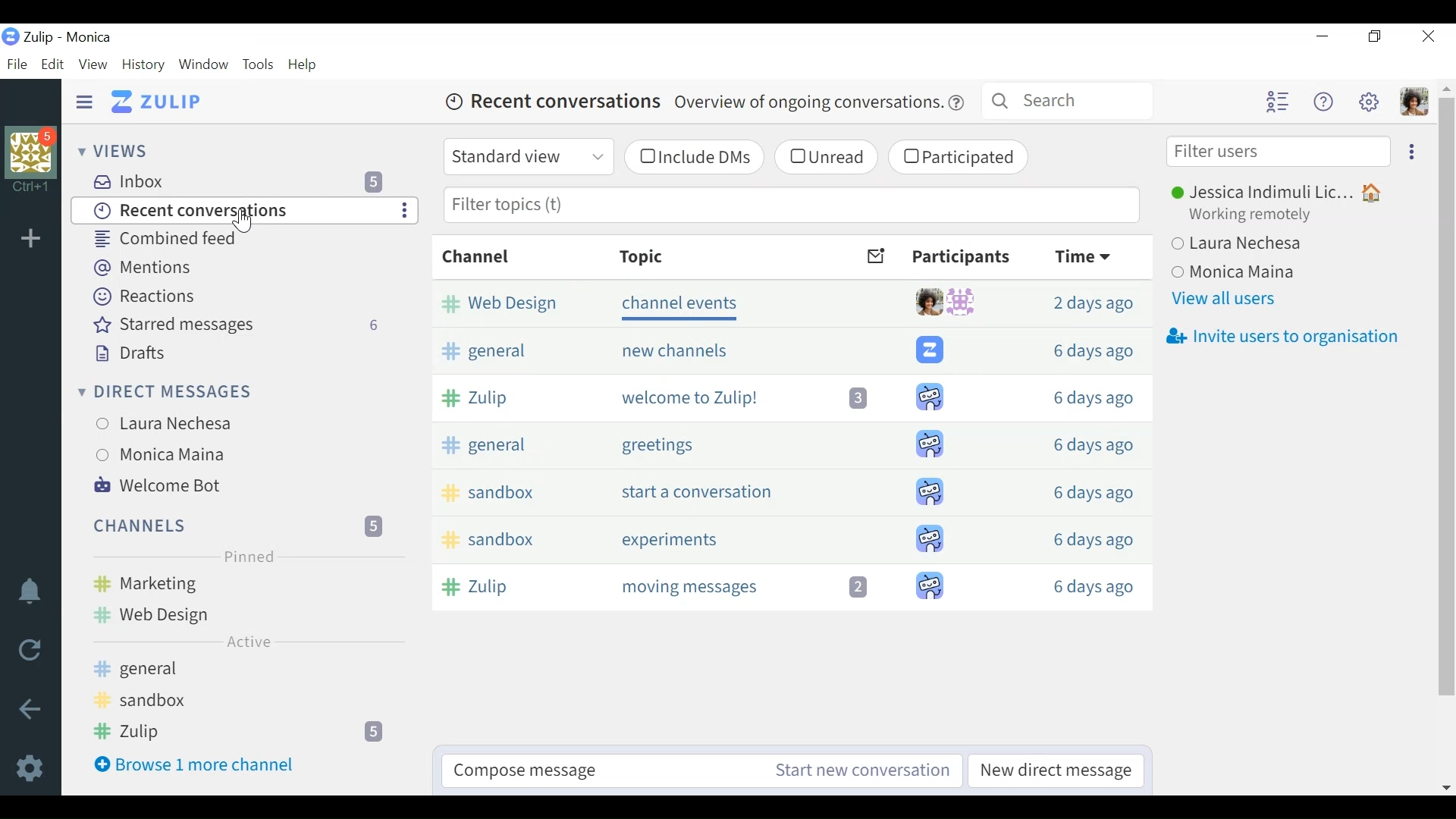 This screenshot has height=819, width=1456. I want to click on Hide Sidebar, so click(85, 101).